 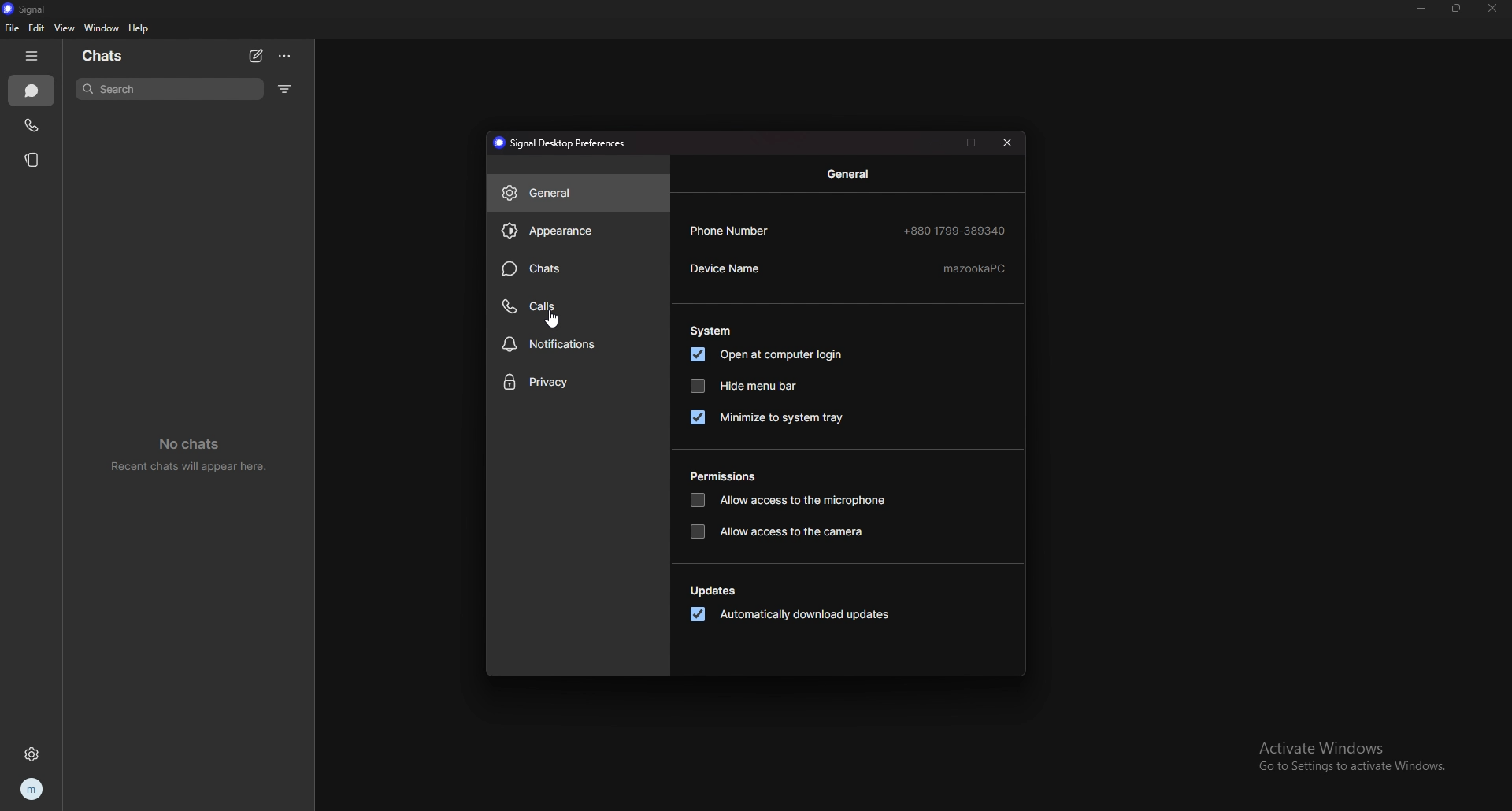 What do you see at coordinates (579, 306) in the screenshot?
I see `calls` at bounding box center [579, 306].